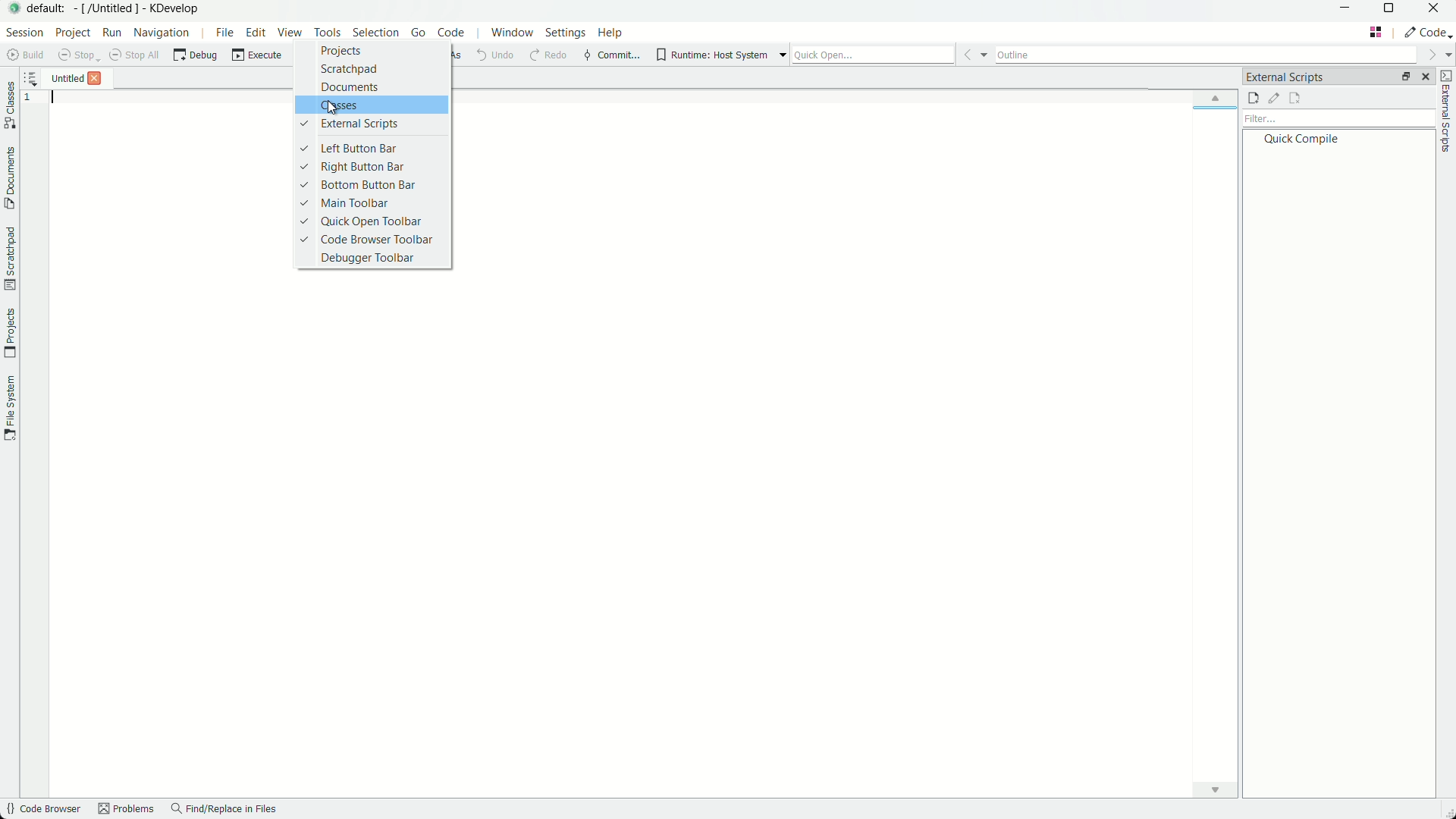 The image size is (1456, 819). I want to click on file, so click(224, 34).